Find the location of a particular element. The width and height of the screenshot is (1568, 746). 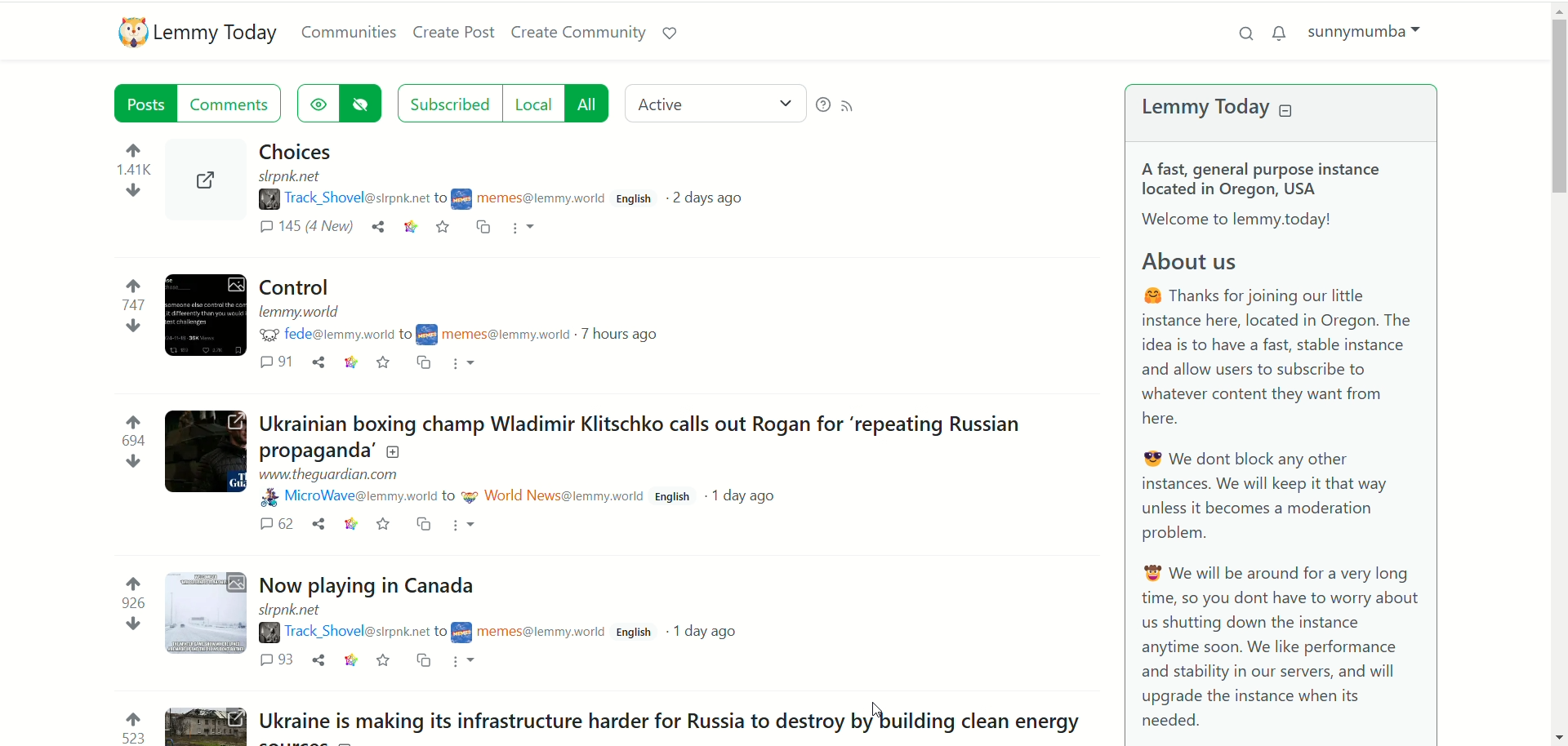

votes up and down is located at coordinates (130, 442).